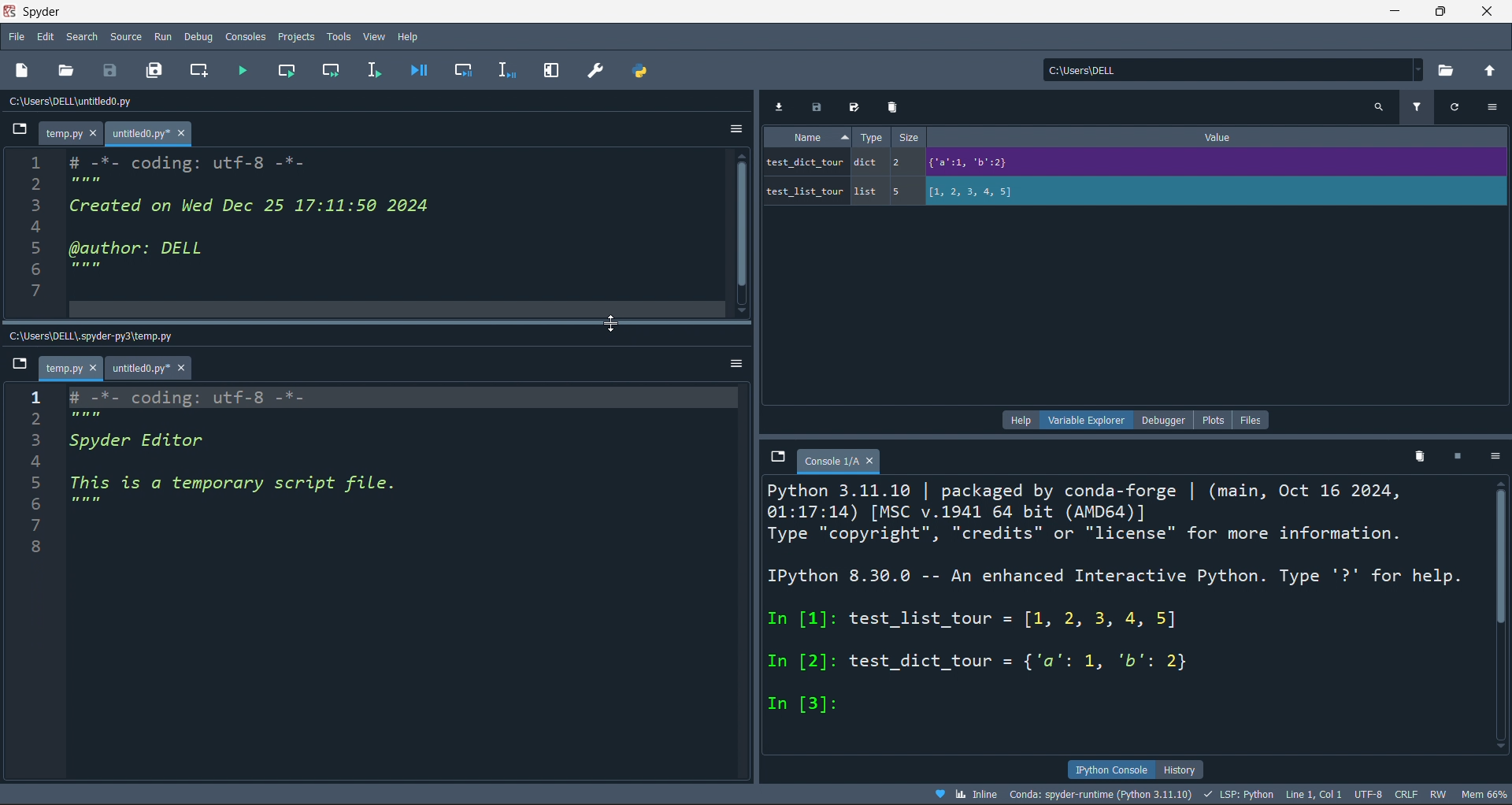 The width and height of the screenshot is (1512, 805). What do you see at coordinates (244, 71) in the screenshot?
I see `run file` at bounding box center [244, 71].